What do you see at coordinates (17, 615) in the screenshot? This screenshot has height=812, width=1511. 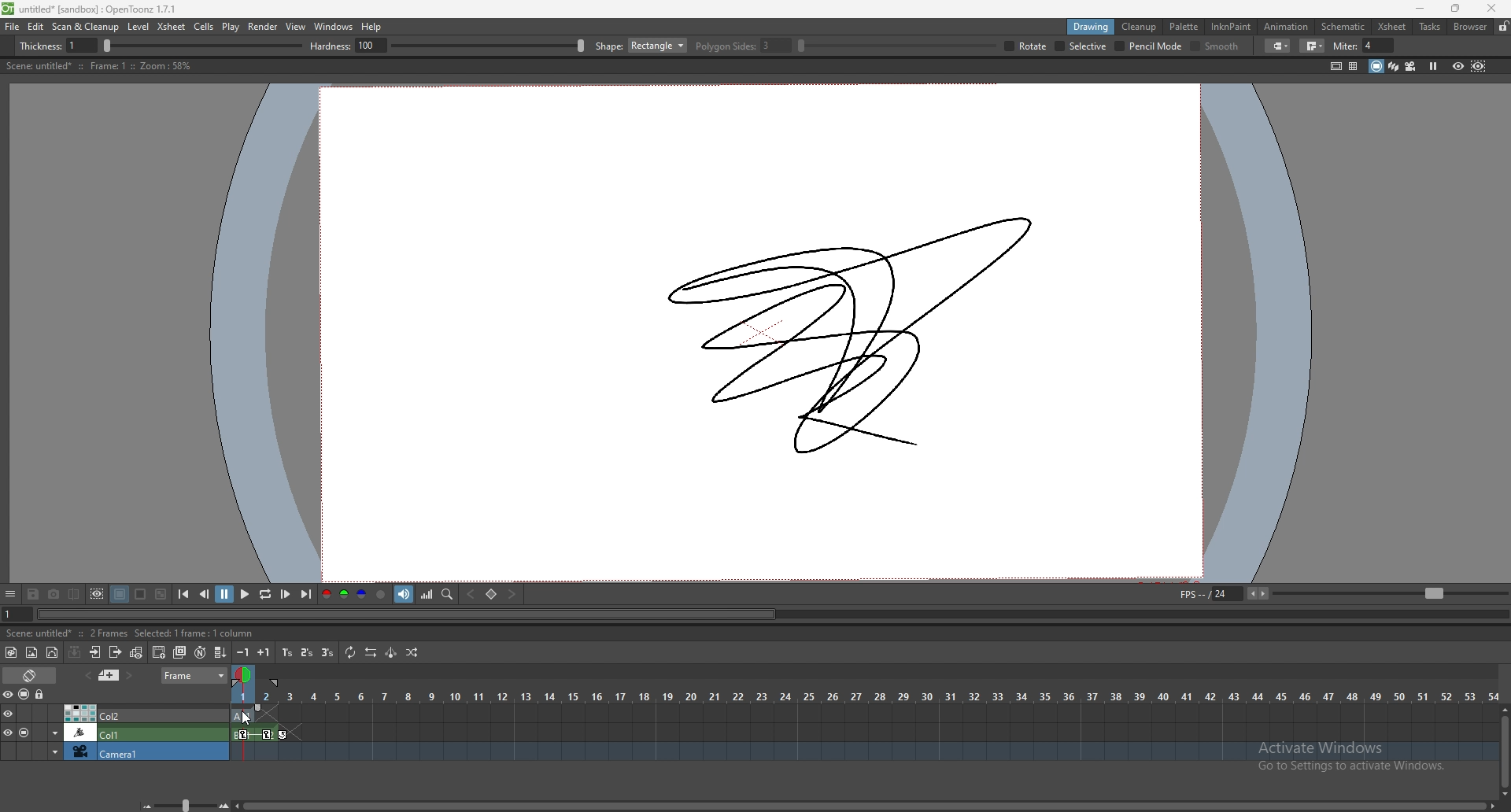 I see `goto frame` at bounding box center [17, 615].